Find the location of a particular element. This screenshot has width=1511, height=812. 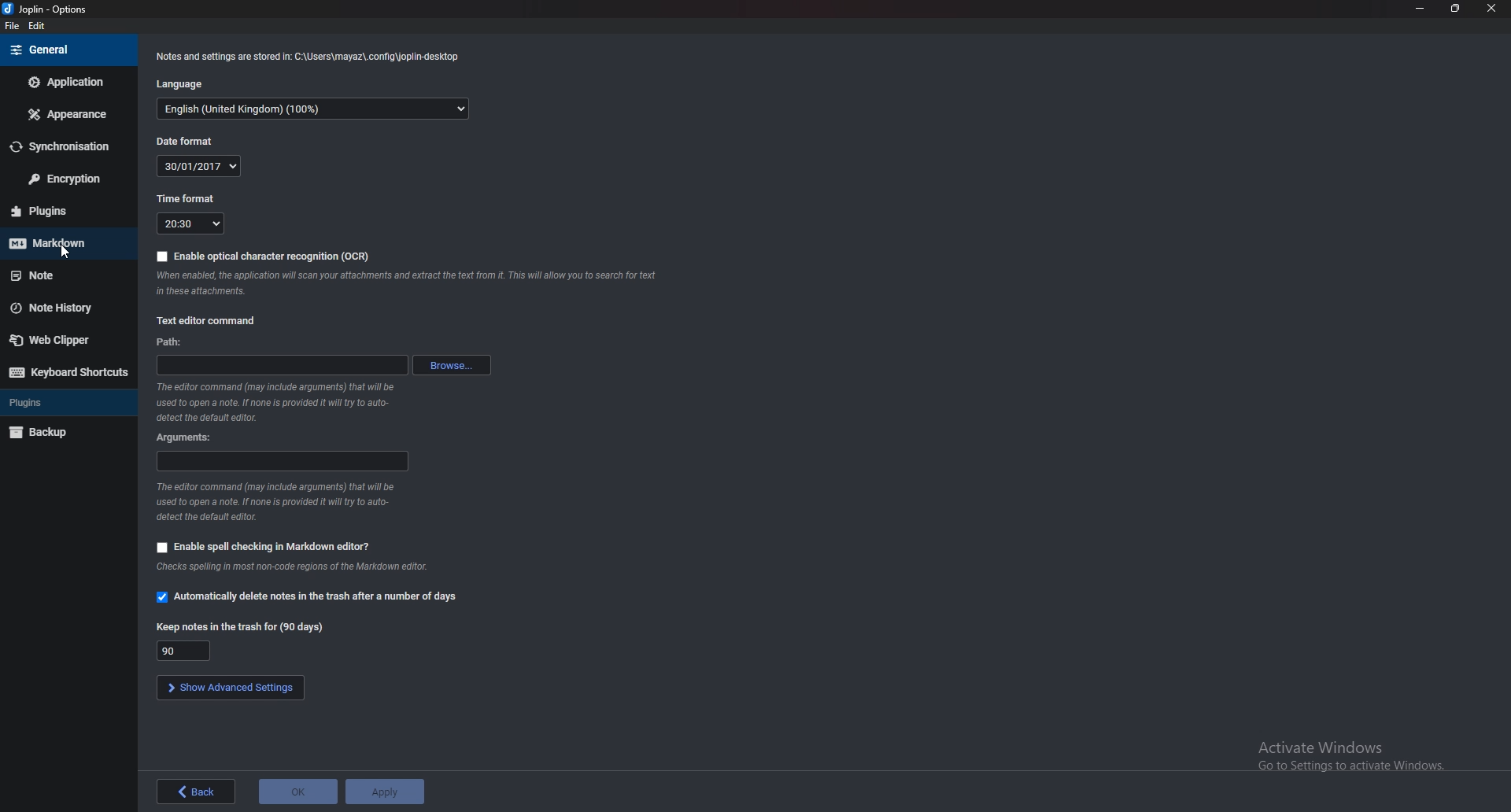

English(Language) is located at coordinates (316, 109).